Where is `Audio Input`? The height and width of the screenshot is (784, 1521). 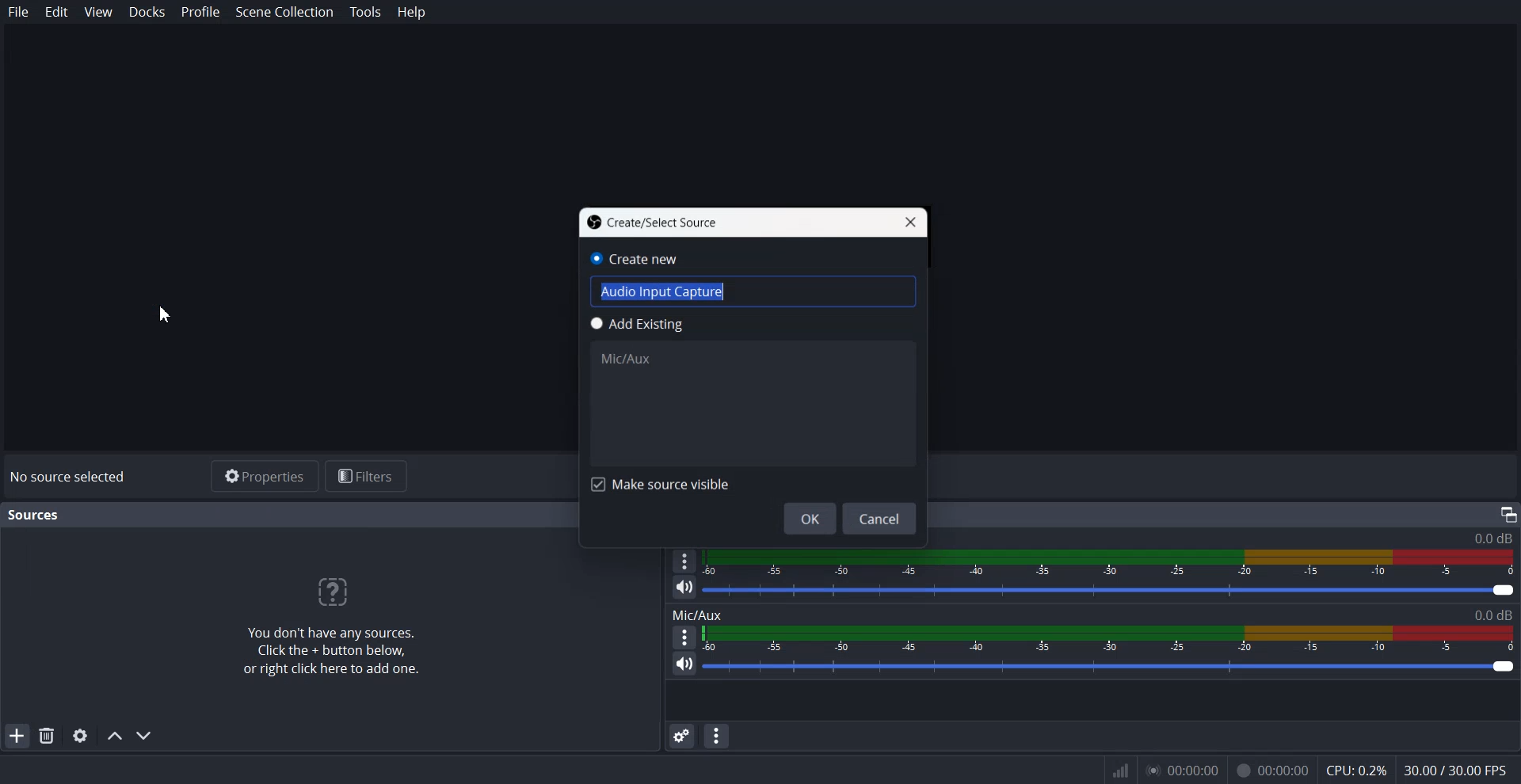 Audio Input is located at coordinates (662, 292).